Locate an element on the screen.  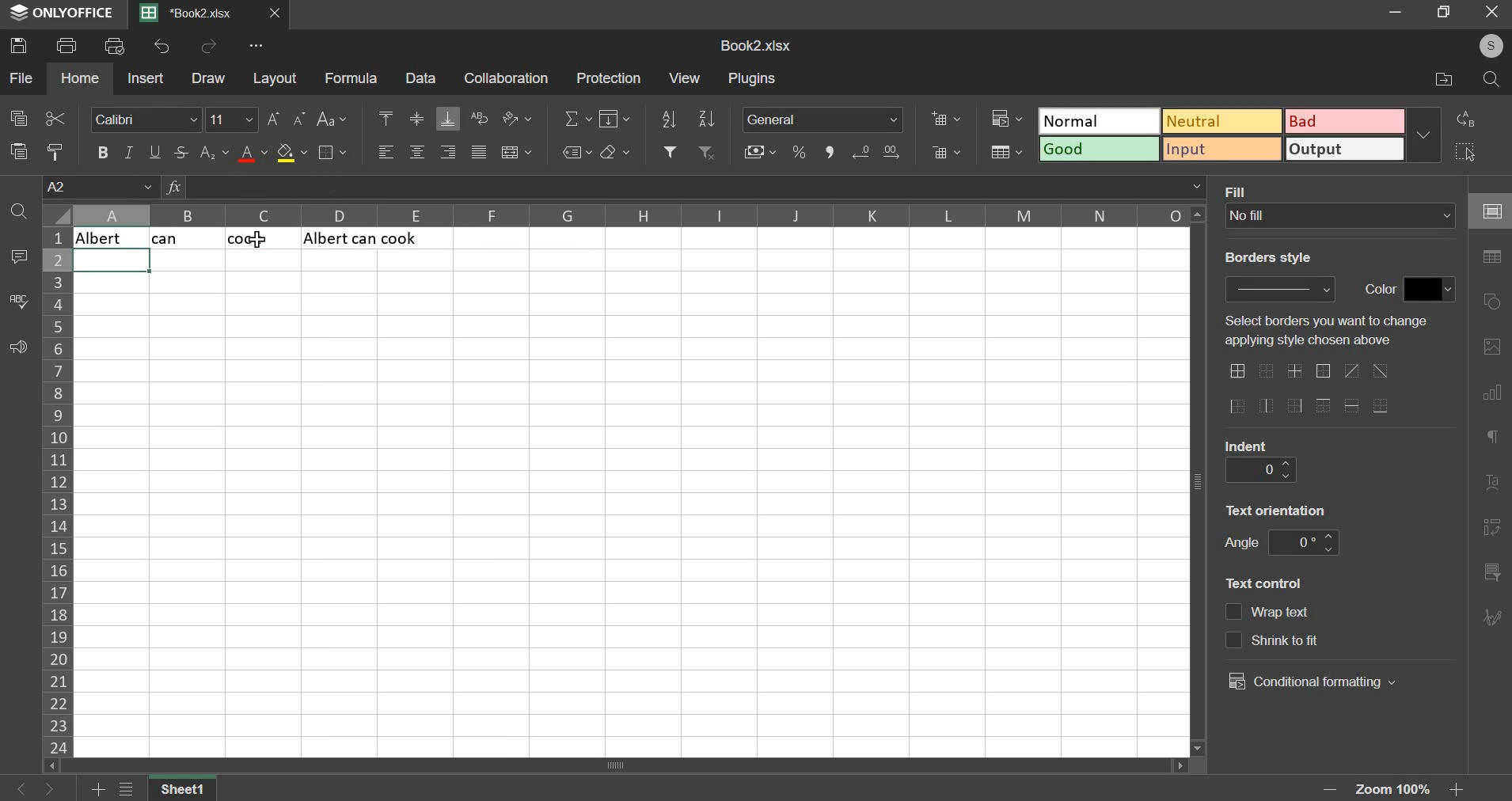
paste is located at coordinates (19, 151).